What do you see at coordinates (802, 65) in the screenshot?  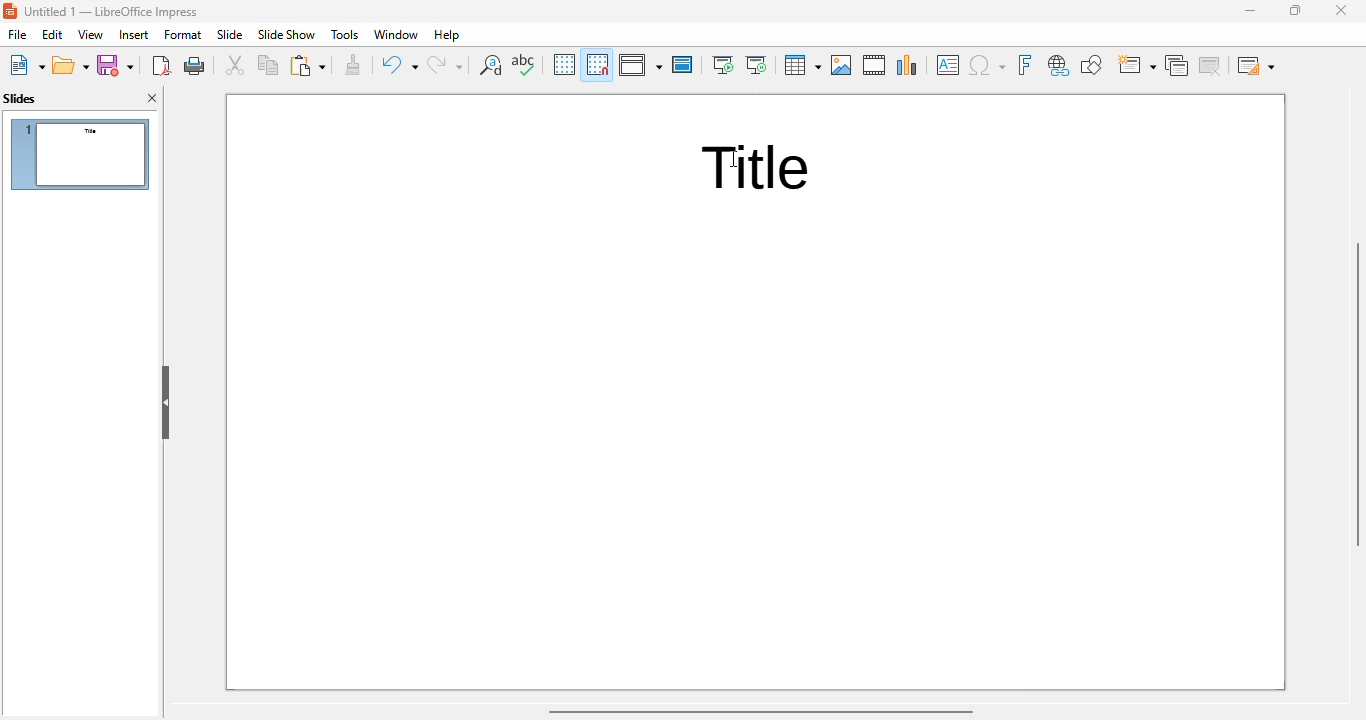 I see `table` at bounding box center [802, 65].